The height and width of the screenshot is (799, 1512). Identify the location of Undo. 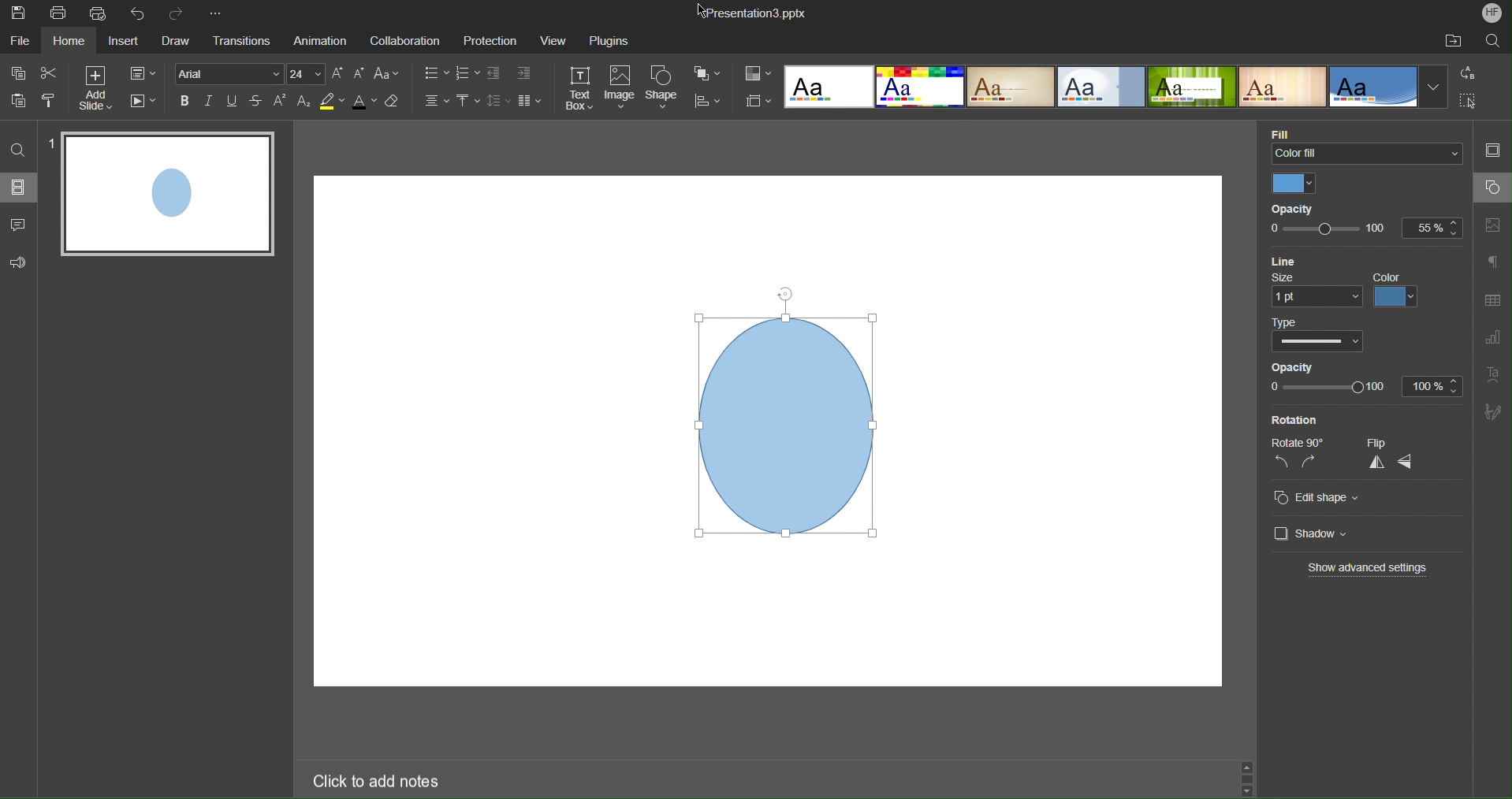
(138, 13).